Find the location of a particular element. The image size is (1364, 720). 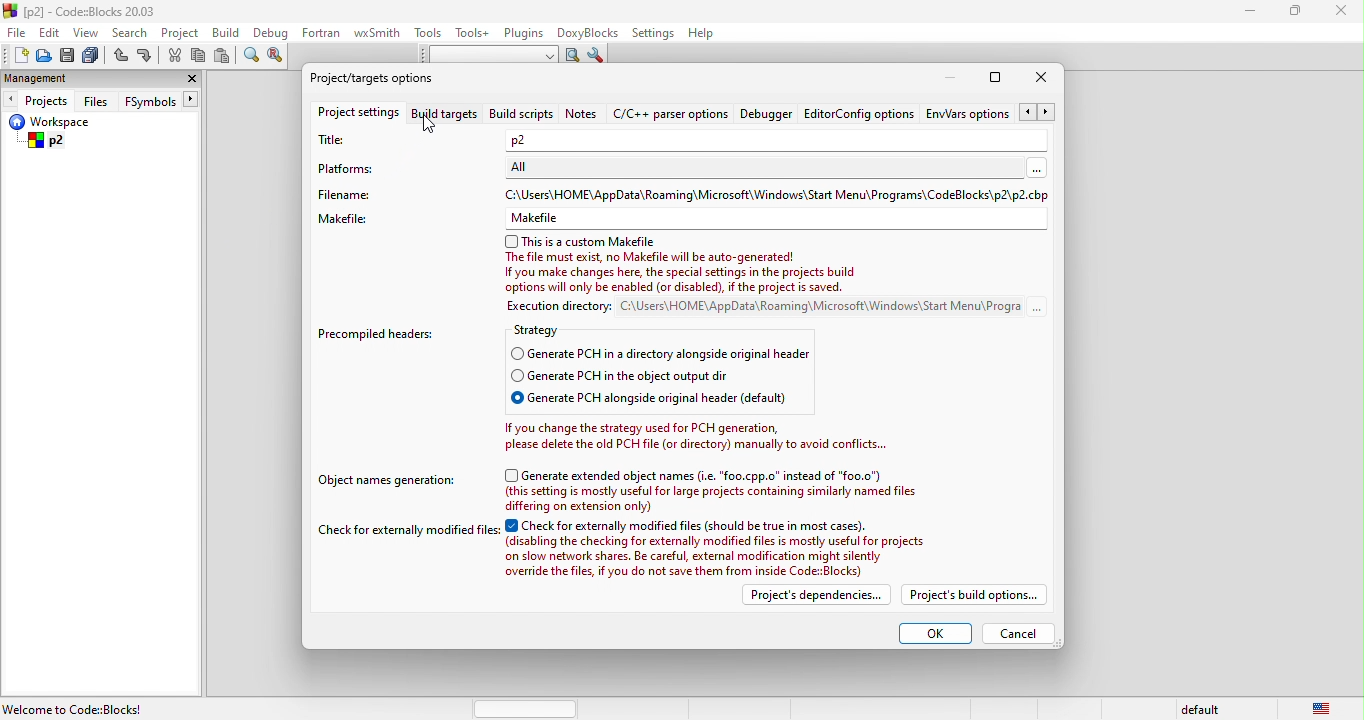

fortran is located at coordinates (323, 32).